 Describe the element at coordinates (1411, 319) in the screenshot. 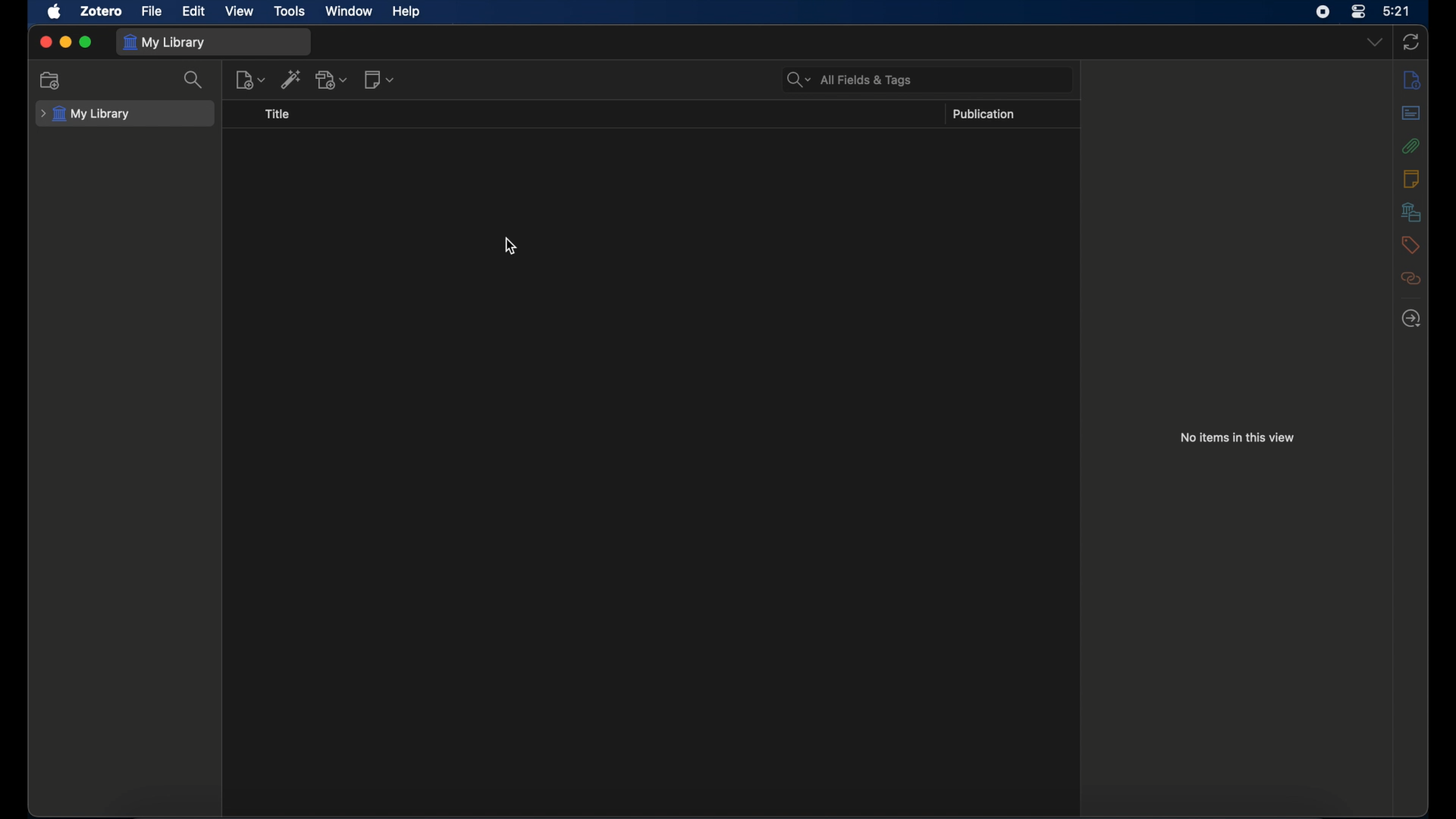

I see `locate` at that location.